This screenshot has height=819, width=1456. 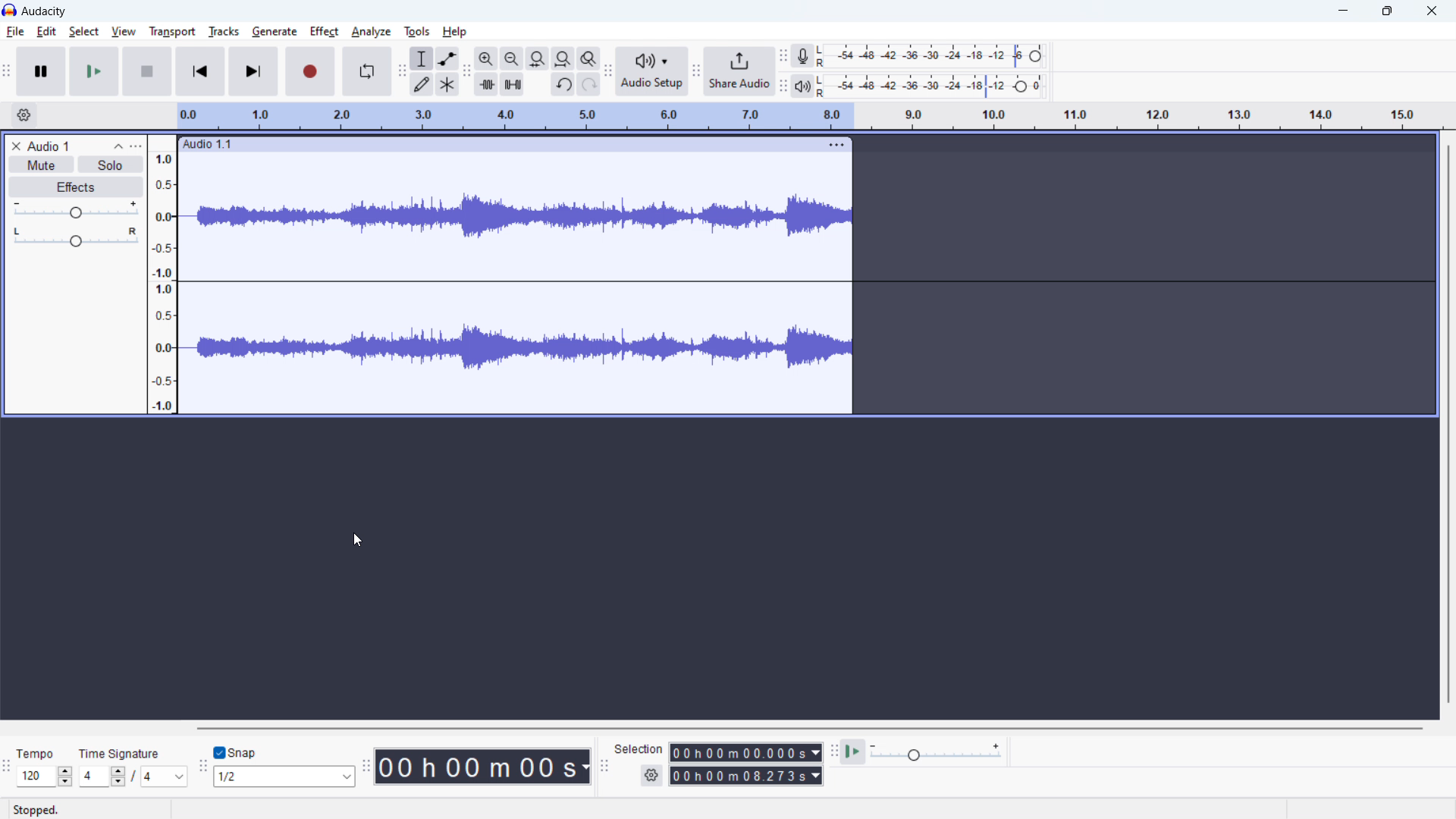 What do you see at coordinates (486, 58) in the screenshot?
I see `zoom in` at bounding box center [486, 58].